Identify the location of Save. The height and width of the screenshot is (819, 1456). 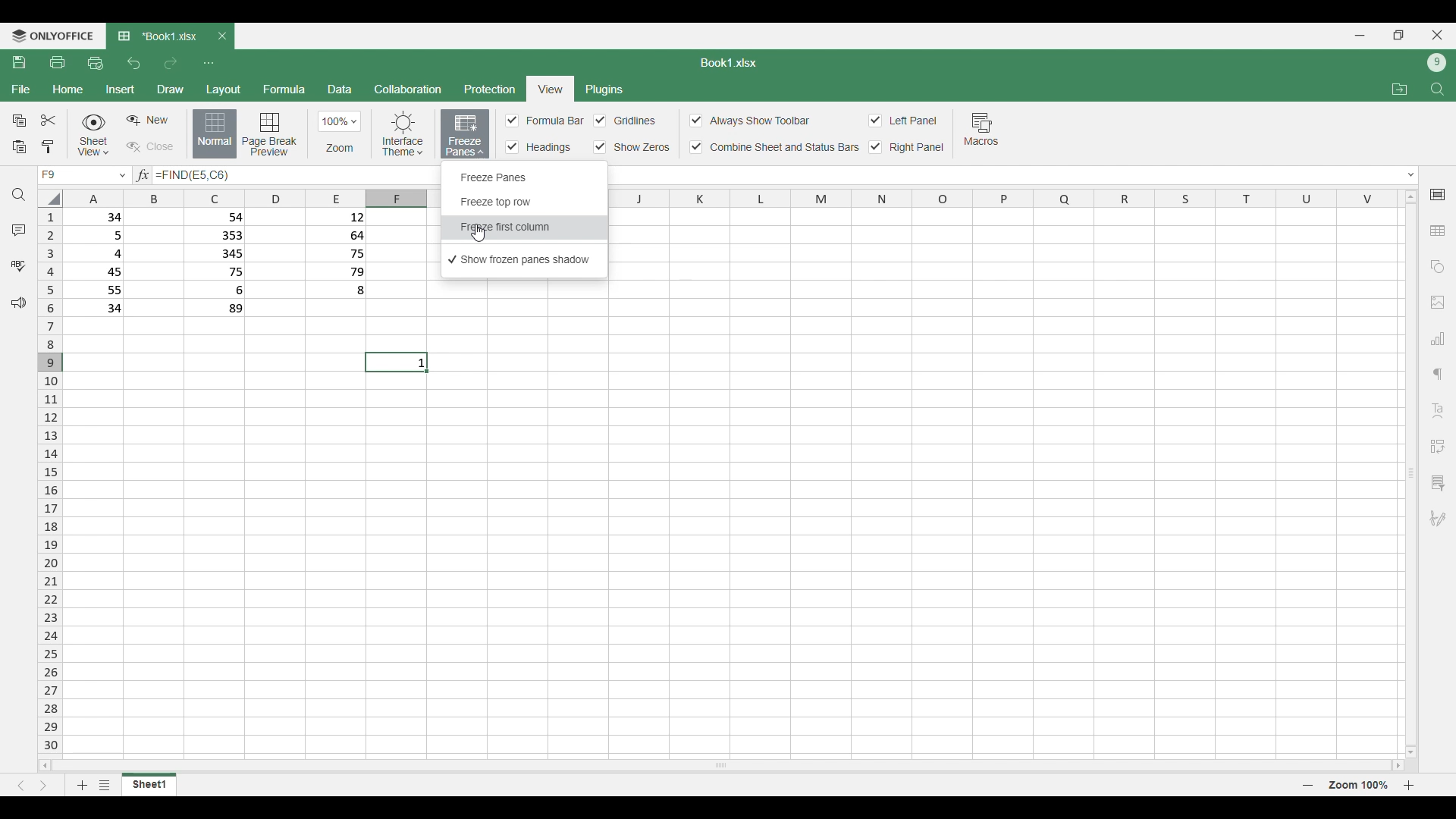
(20, 63).